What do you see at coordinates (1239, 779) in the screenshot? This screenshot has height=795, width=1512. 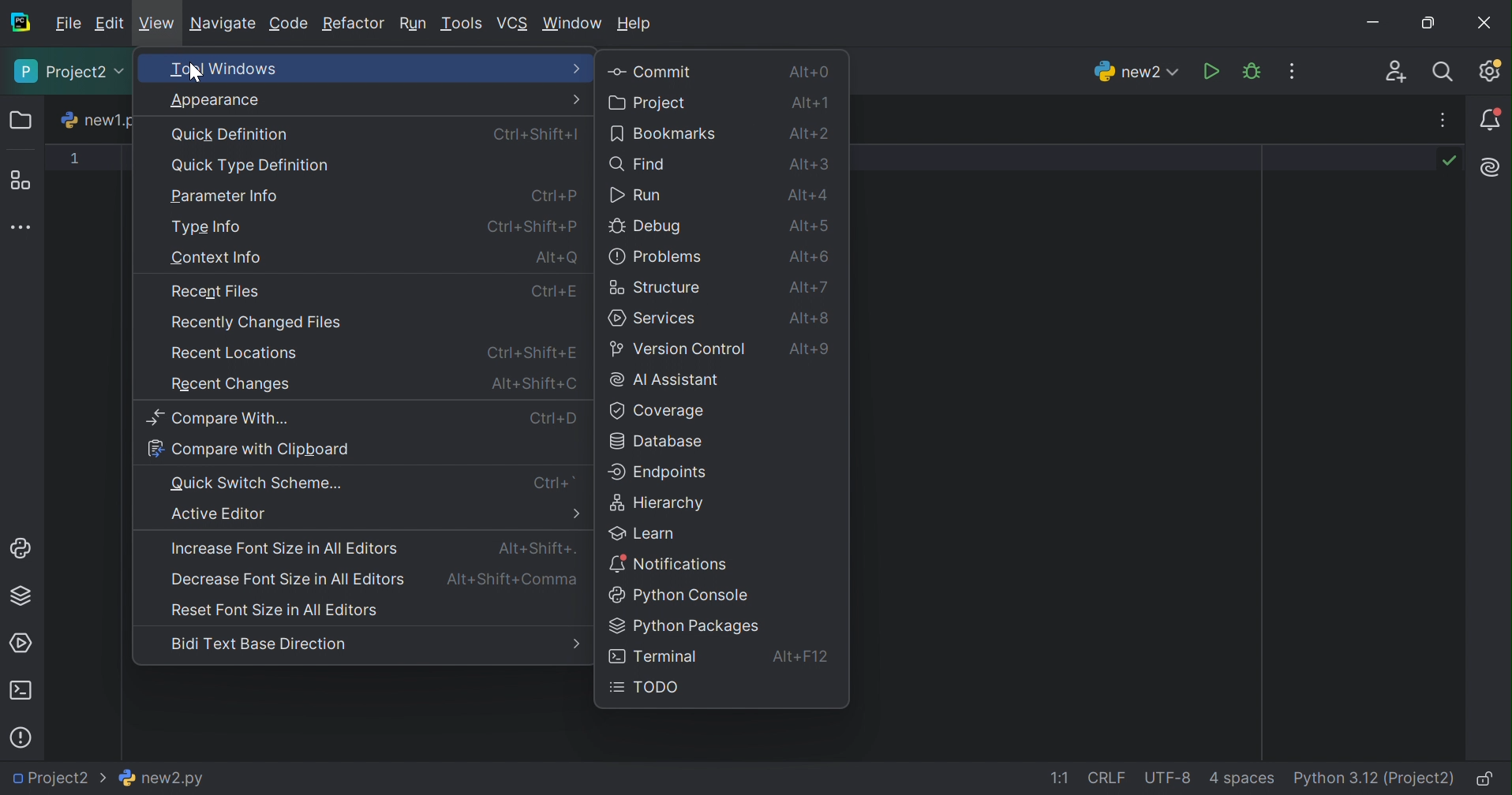 I see `4 spaces` at bounding box center [1239, 779].